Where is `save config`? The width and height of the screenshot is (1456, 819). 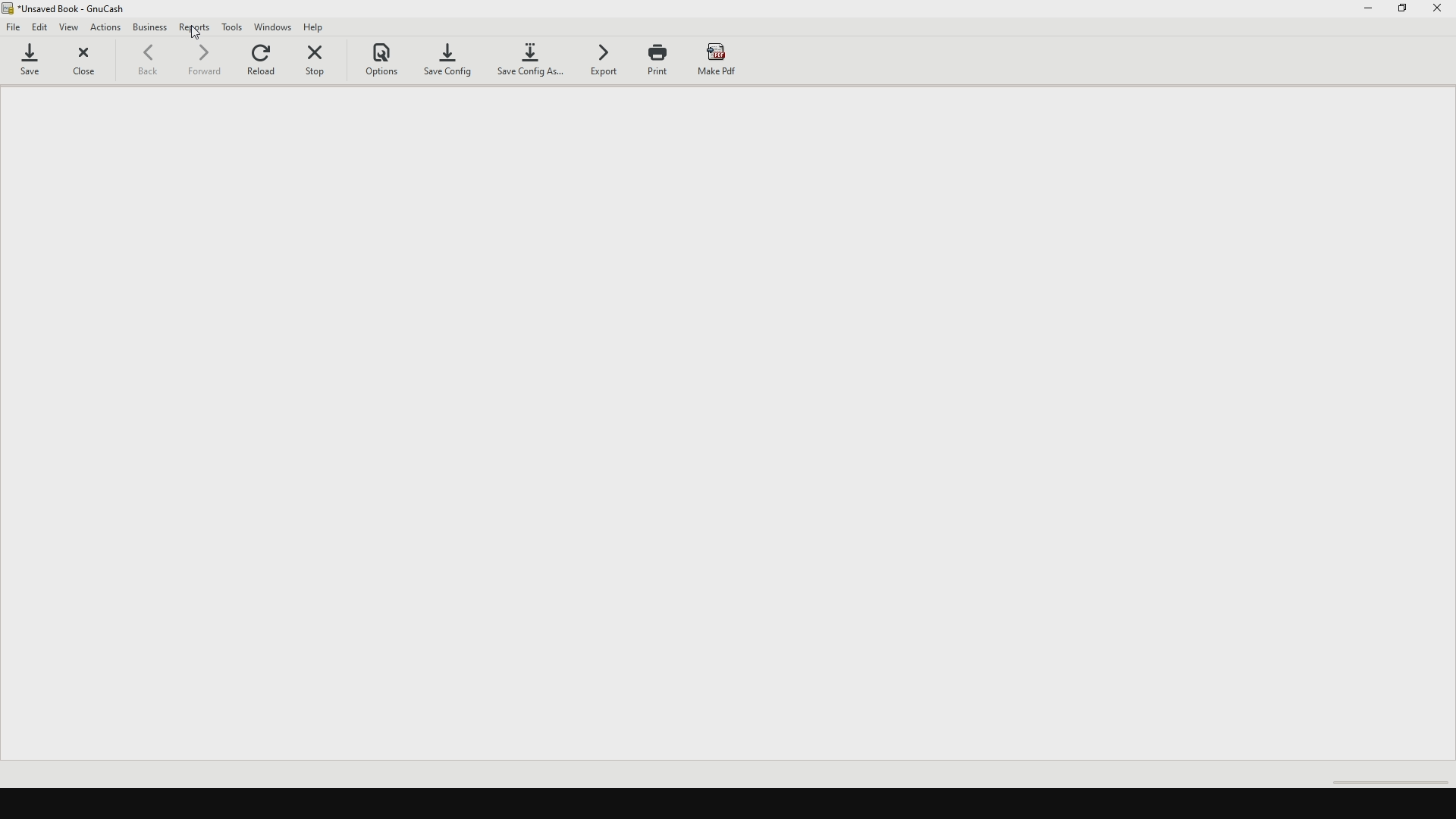 save config is located at coordinates (452, 60).